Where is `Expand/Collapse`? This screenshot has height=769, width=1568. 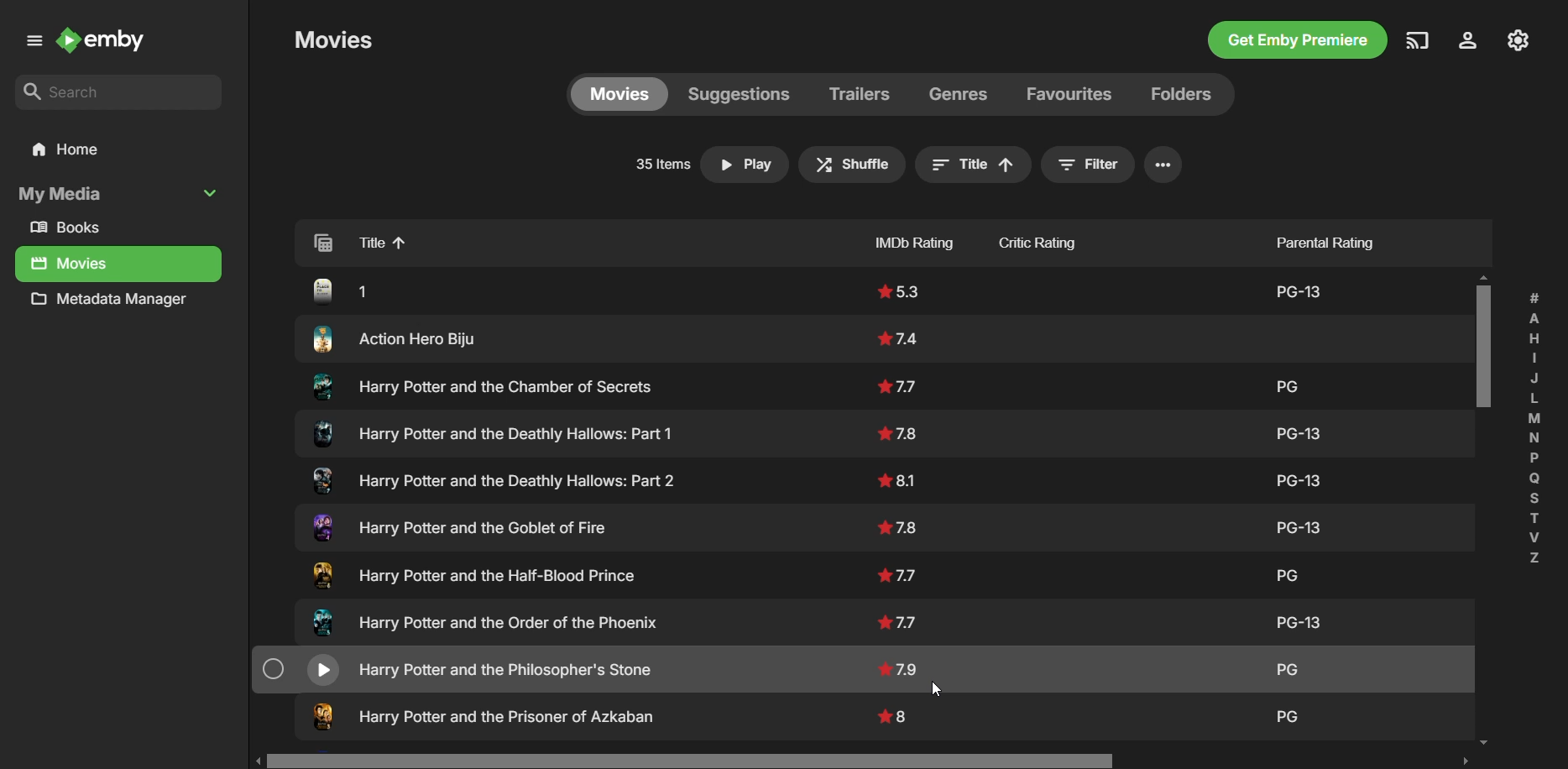
Expand/Collapse is located at coordinates (213, 192).